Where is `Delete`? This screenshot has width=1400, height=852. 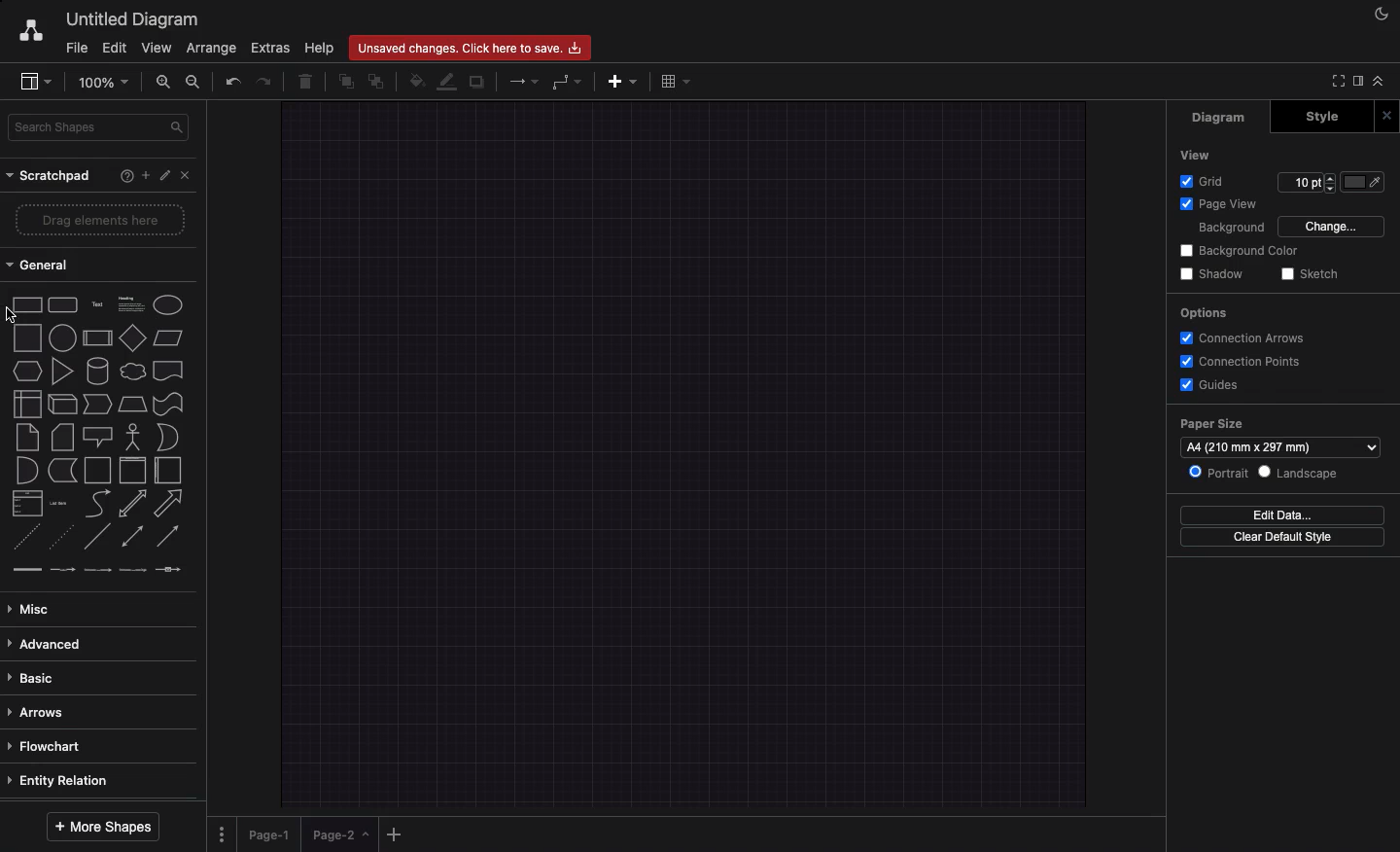 Delete is located at coordinates (307, 79).